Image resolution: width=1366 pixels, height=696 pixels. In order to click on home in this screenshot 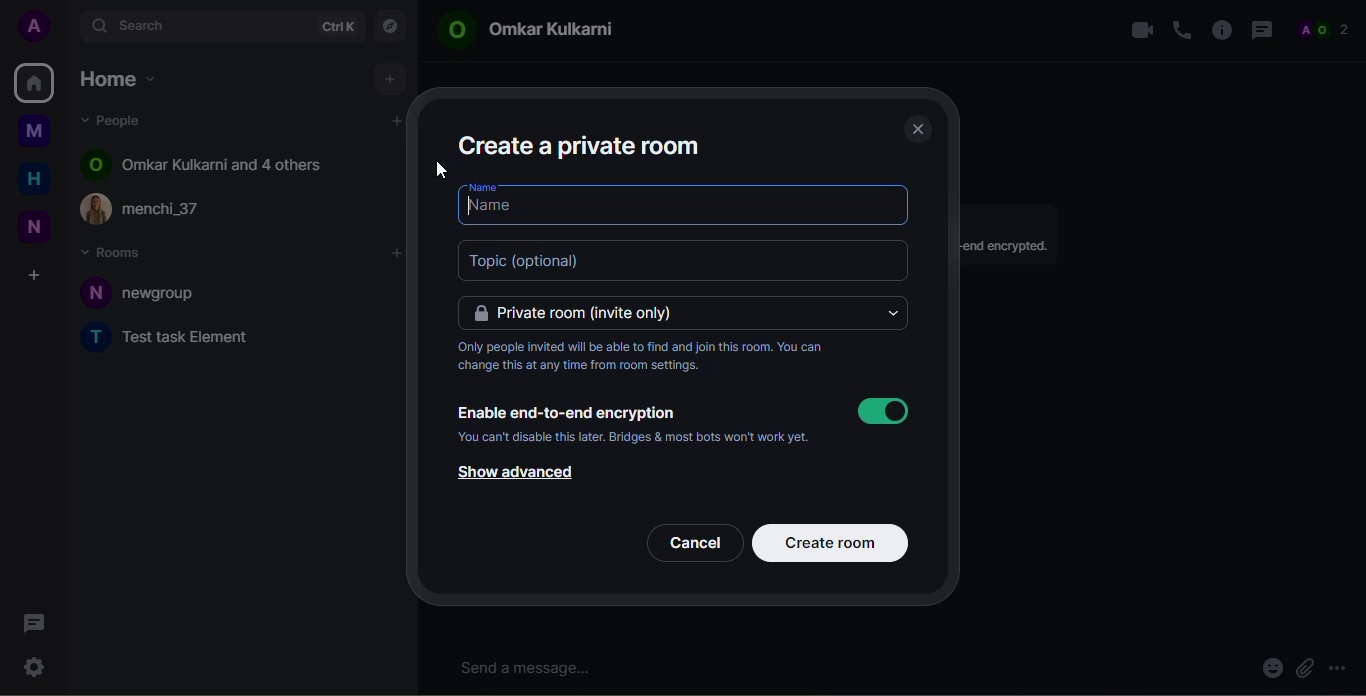, I will do `click(34, 81)`.